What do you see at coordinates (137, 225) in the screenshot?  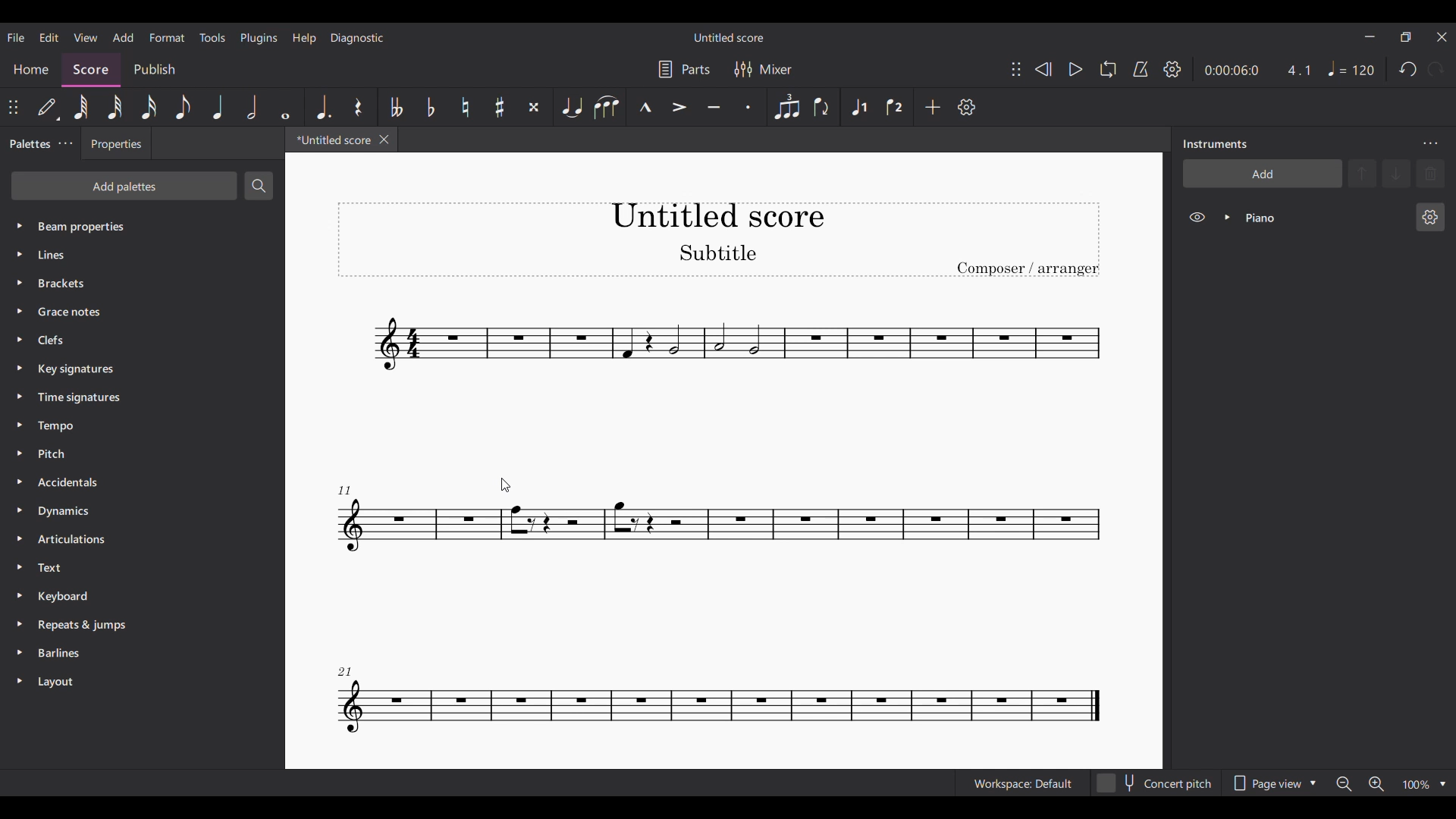 I see `Beam properties` at bounding box center [137, 225].